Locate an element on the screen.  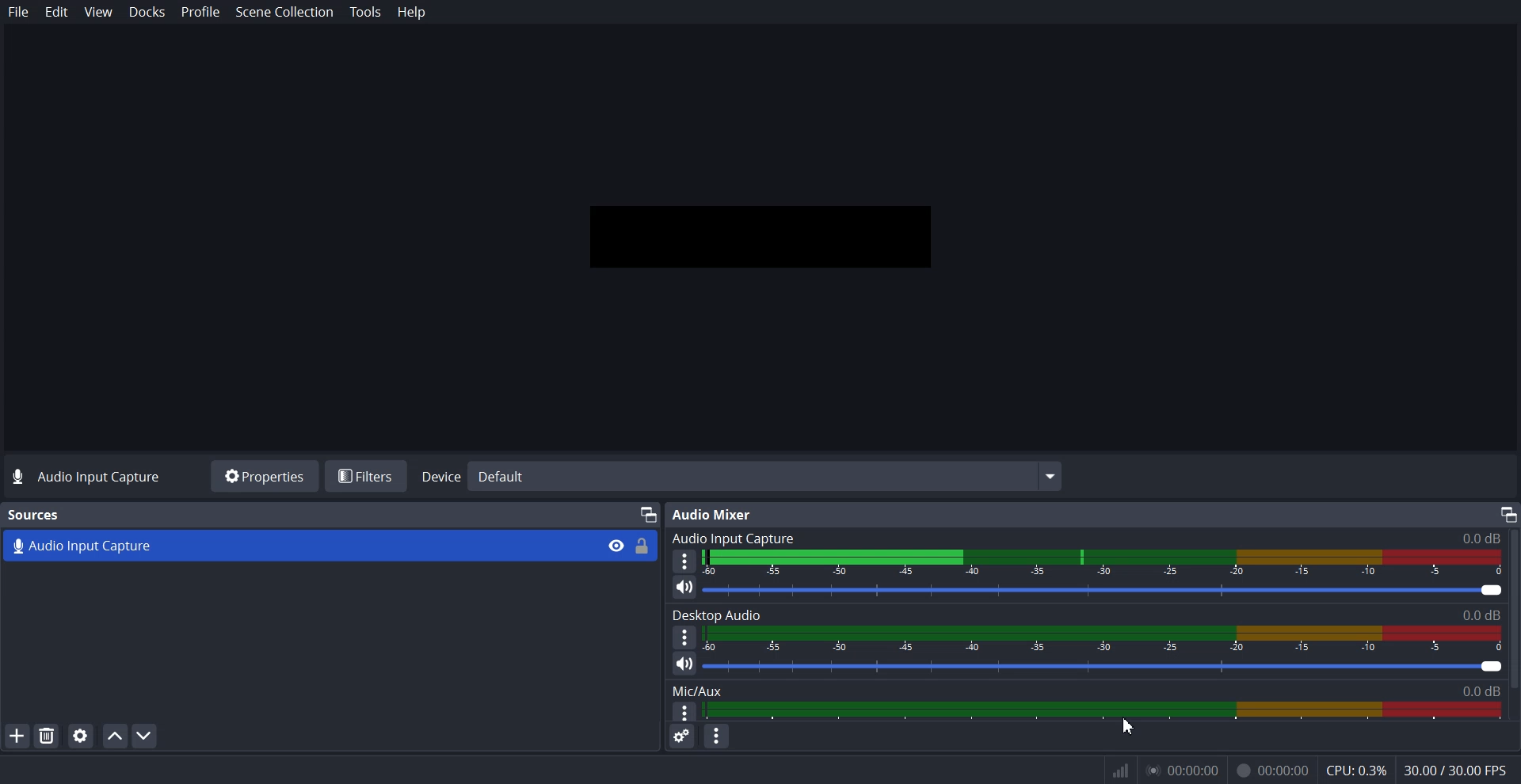
Mix is located at coordinates (695, 692).